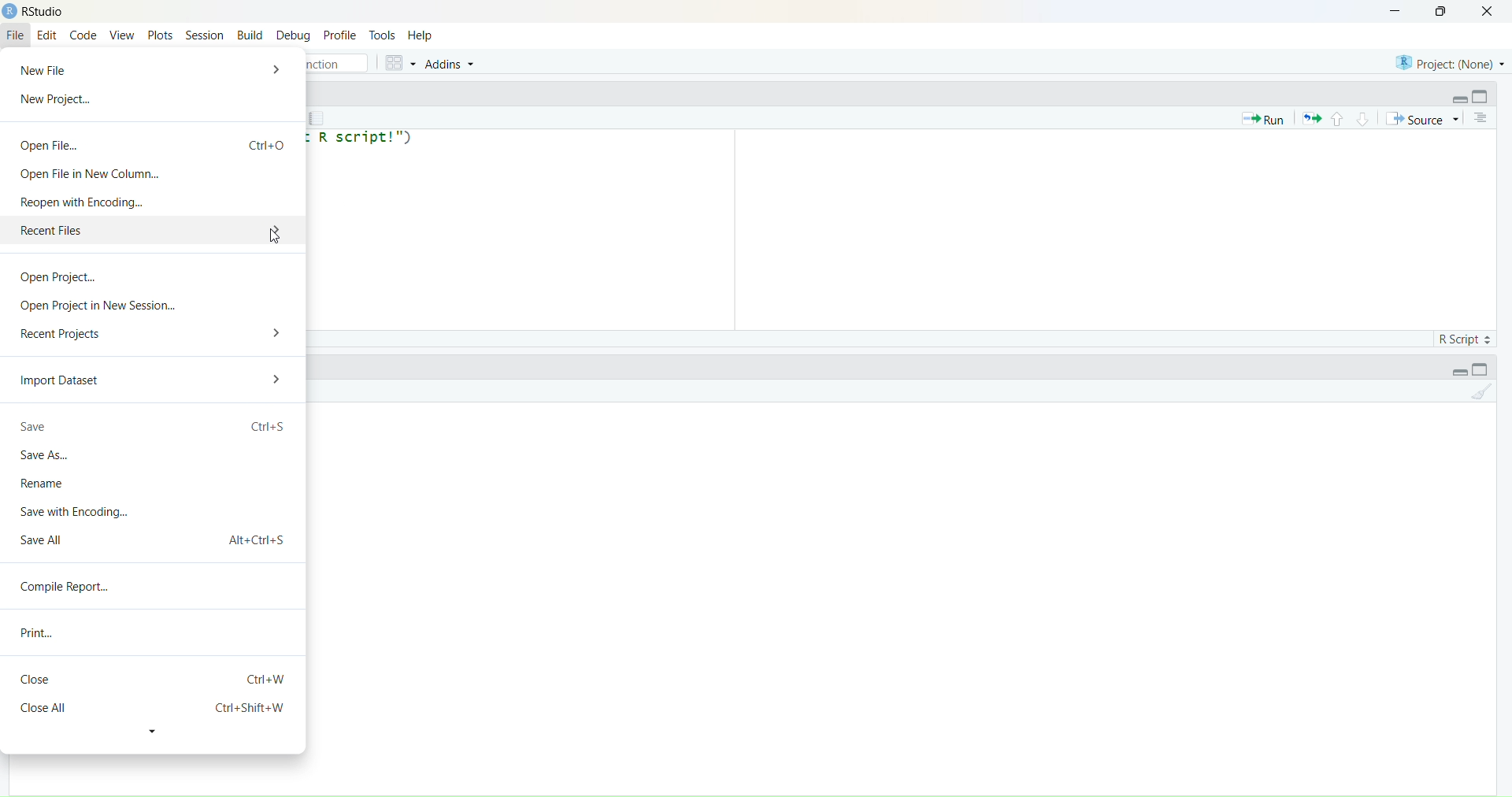 The width and height of the screenshot is (1512, 797). I want to click on Session, so click(204, 34).